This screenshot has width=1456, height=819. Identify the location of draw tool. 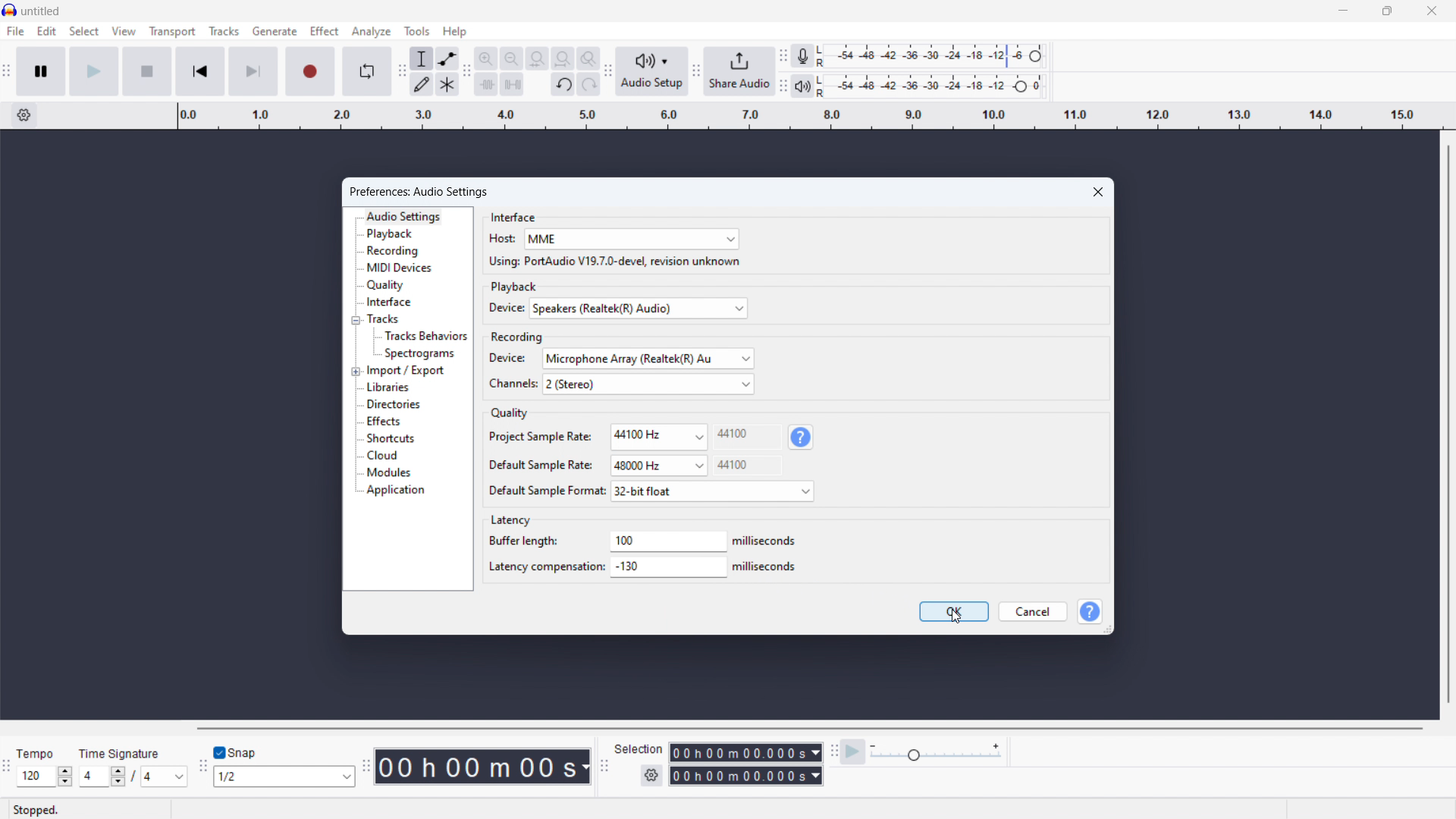
(422, 84).